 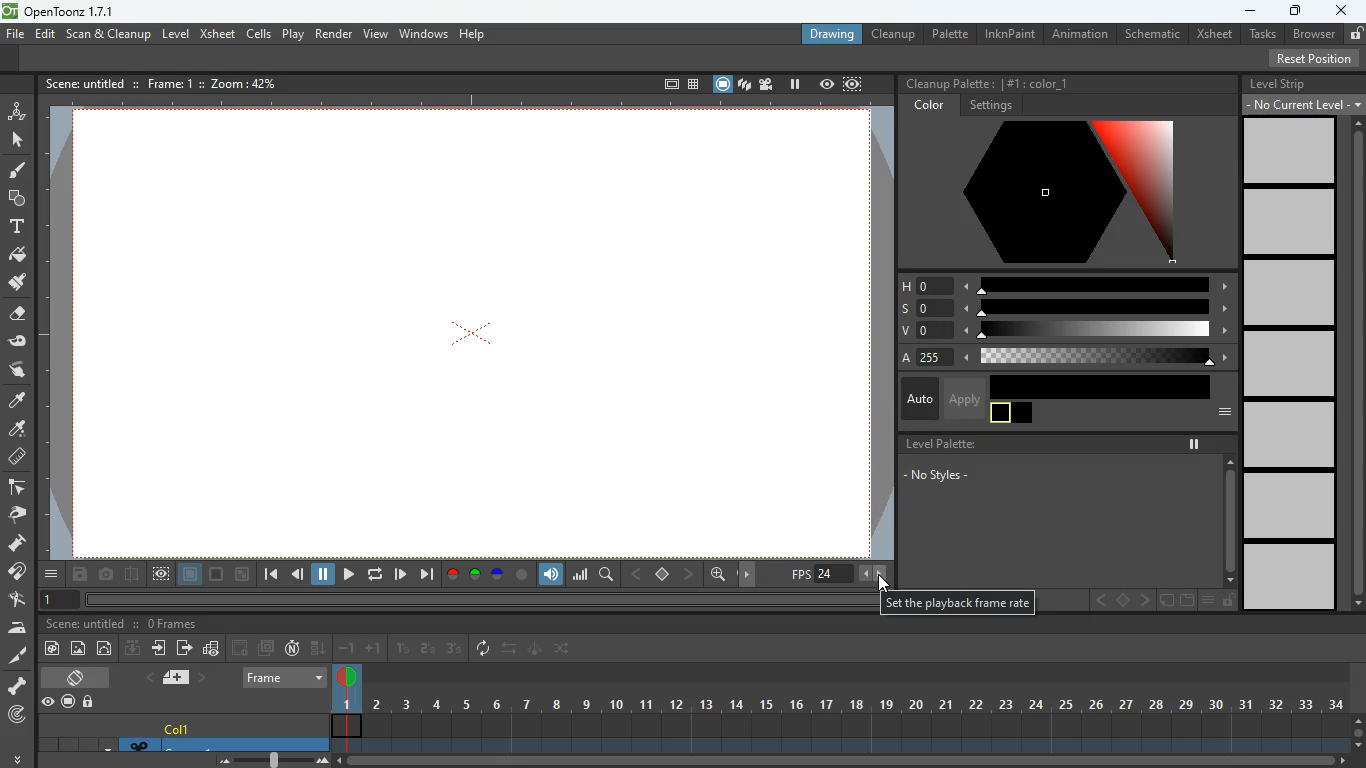 I want to click on windows, so click(x=423, y=35).